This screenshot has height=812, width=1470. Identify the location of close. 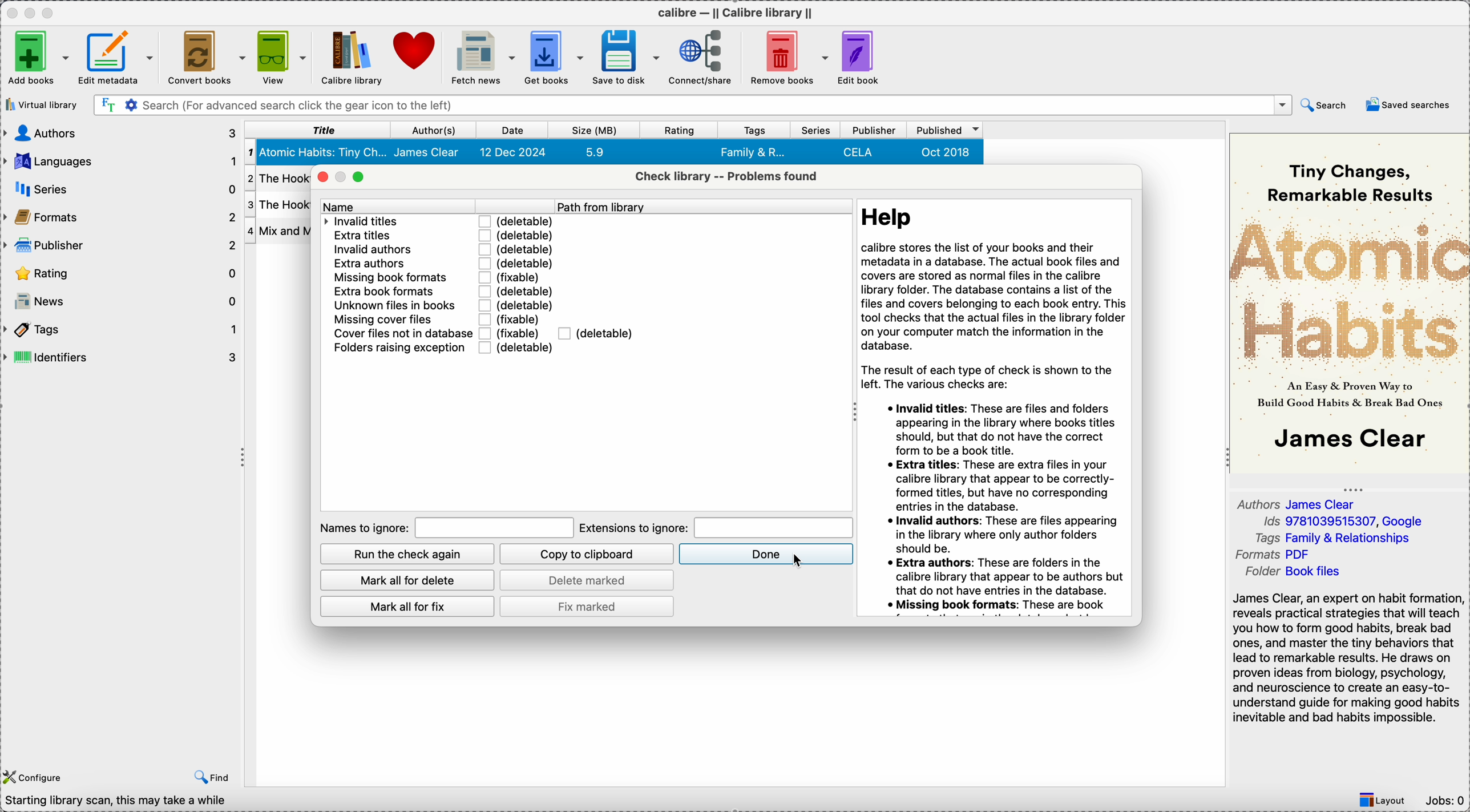
(1260, 105).